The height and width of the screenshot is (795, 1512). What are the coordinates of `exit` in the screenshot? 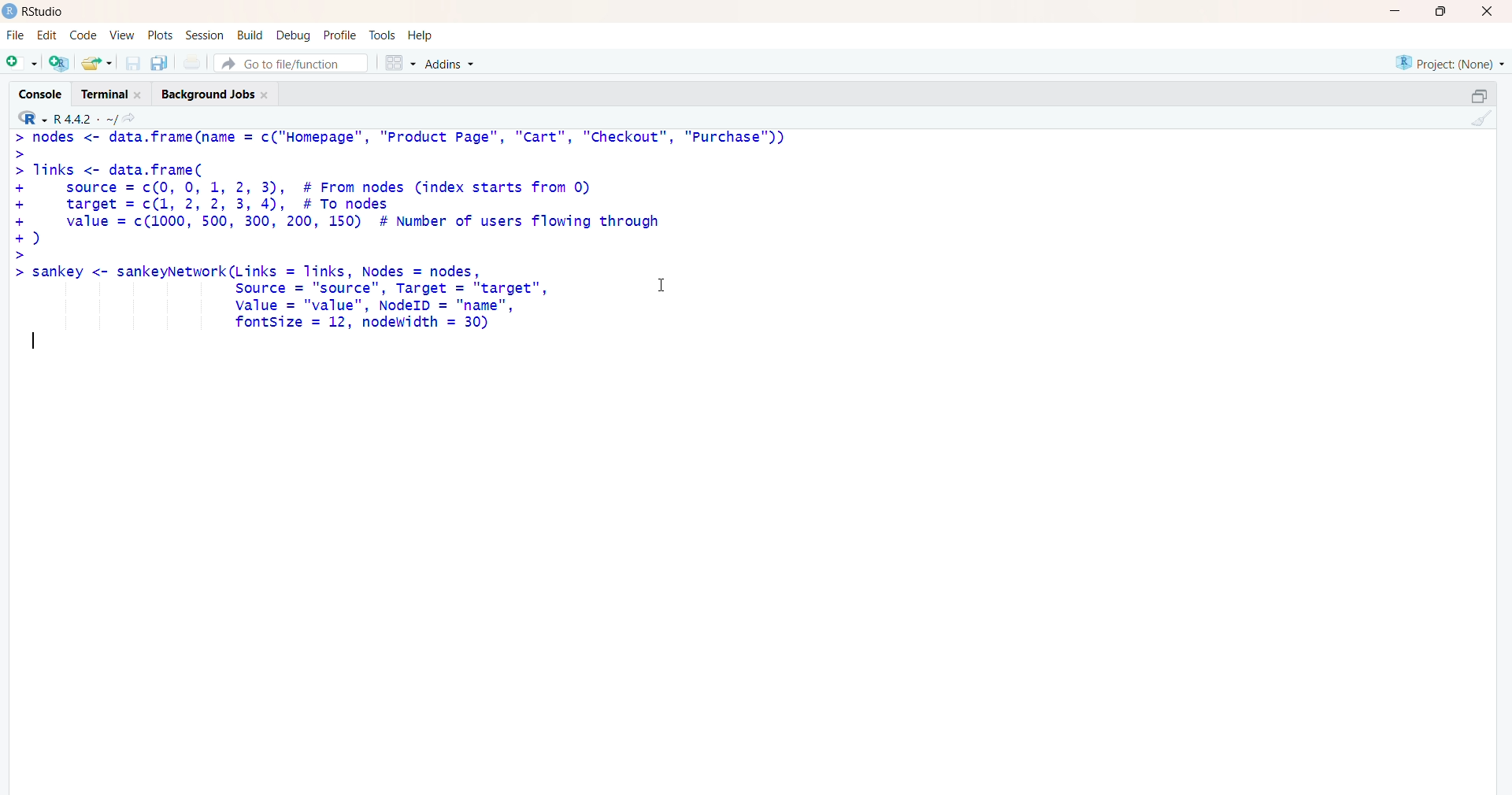 It's located at (1485, 13).